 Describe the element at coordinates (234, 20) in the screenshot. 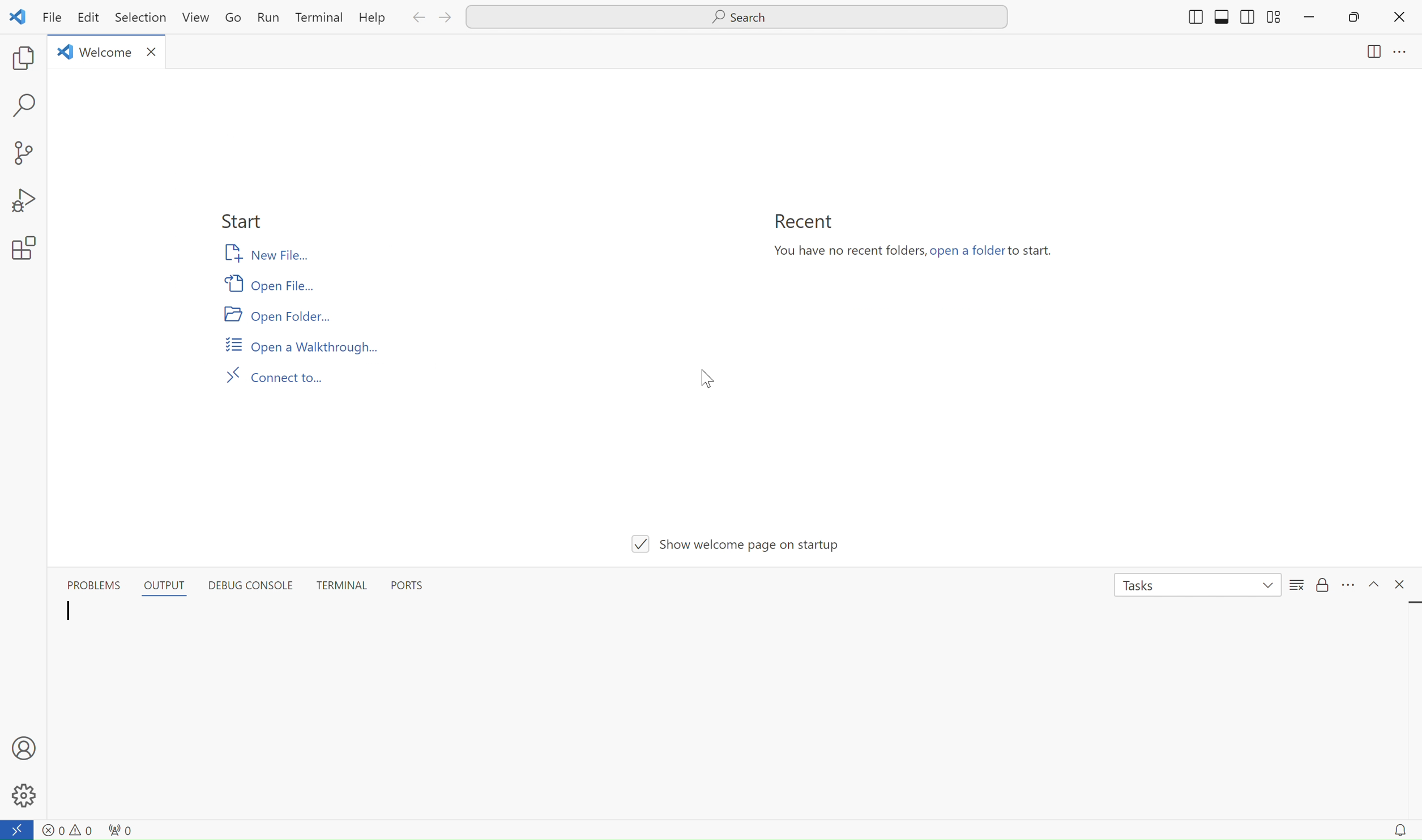

I see `Go` at that location.